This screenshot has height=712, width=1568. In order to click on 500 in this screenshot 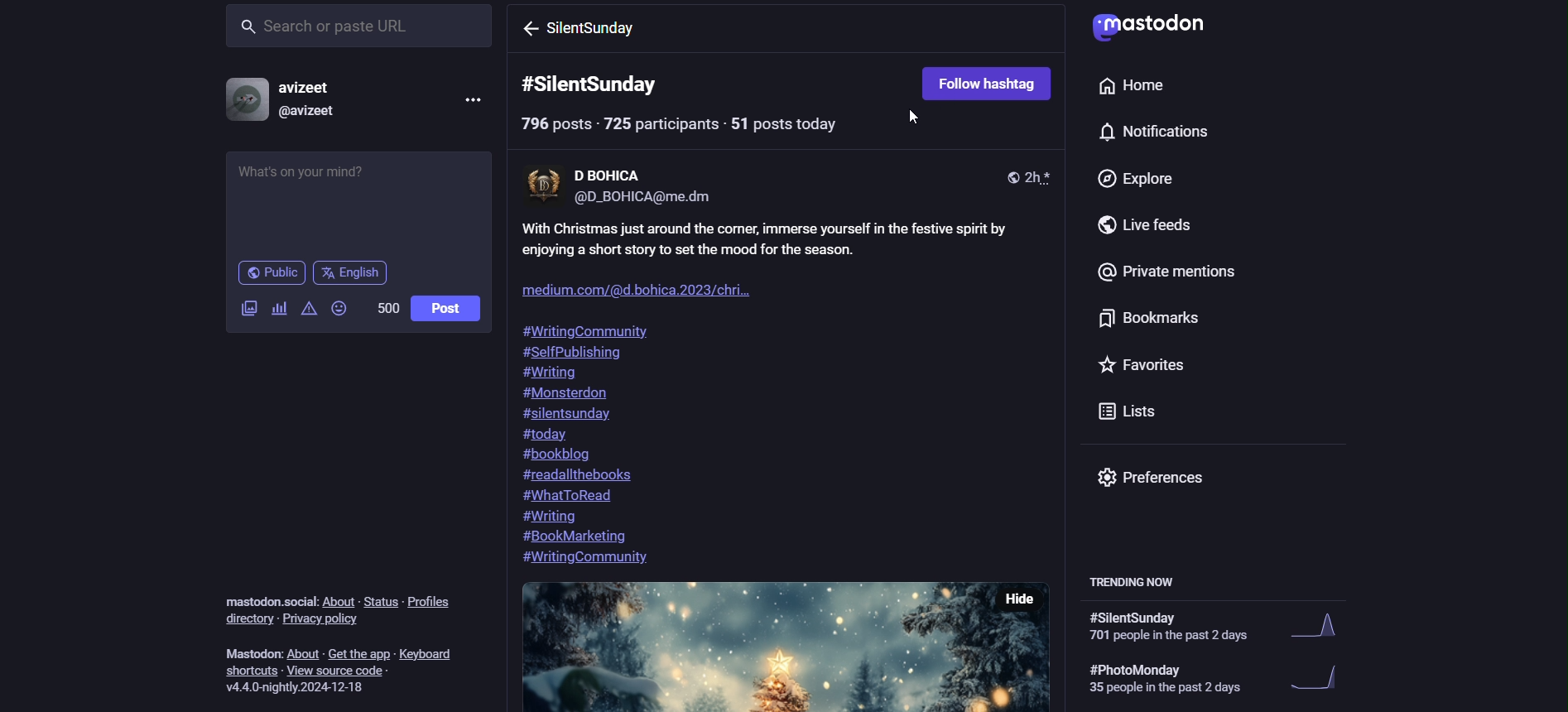, I will do `click(382, 309)`.